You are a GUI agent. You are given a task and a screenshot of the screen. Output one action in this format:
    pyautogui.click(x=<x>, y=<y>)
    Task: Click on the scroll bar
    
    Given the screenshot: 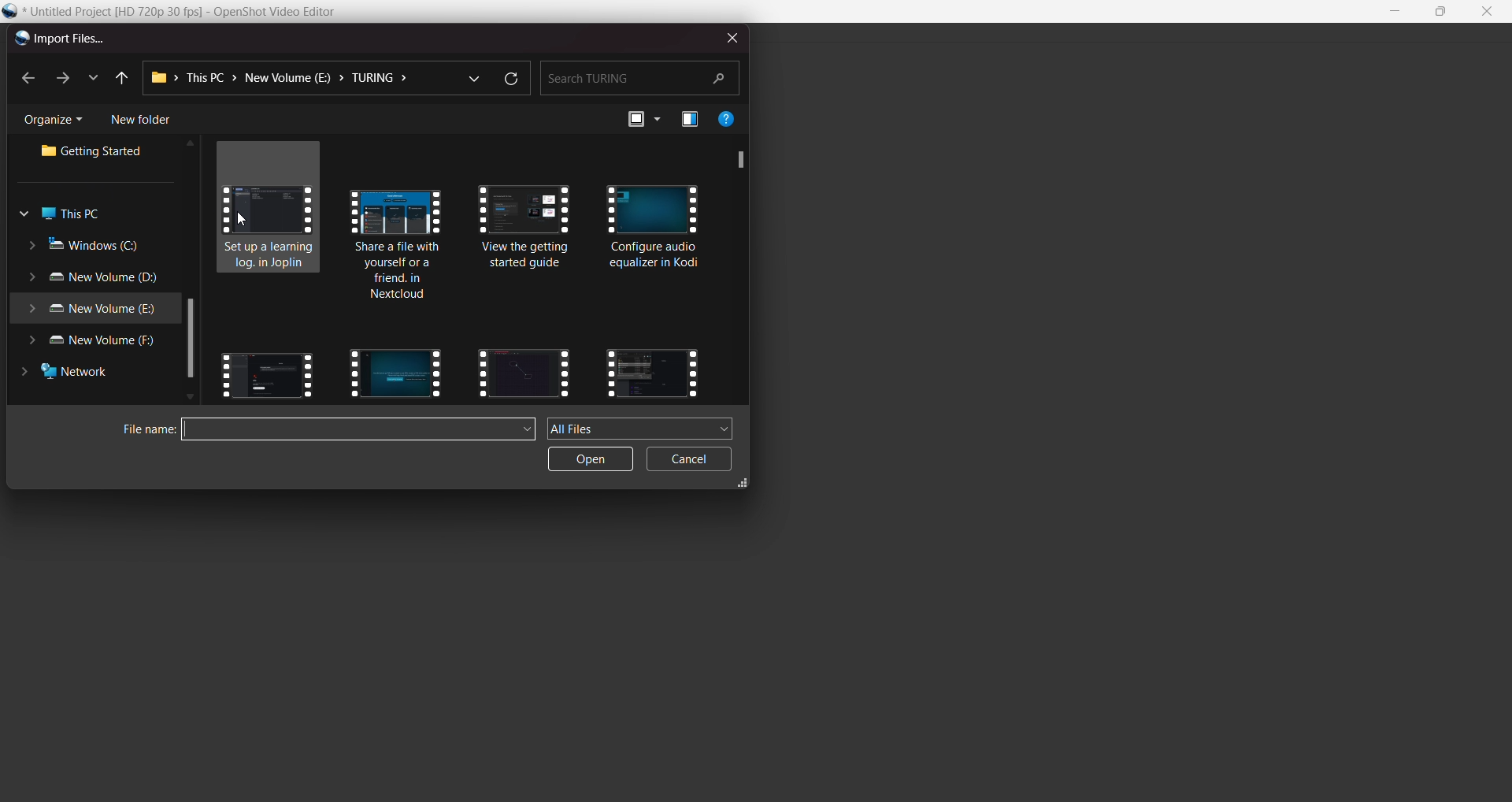 What is the action you would take?
    pyautogui.click(x=736, y=159)
    